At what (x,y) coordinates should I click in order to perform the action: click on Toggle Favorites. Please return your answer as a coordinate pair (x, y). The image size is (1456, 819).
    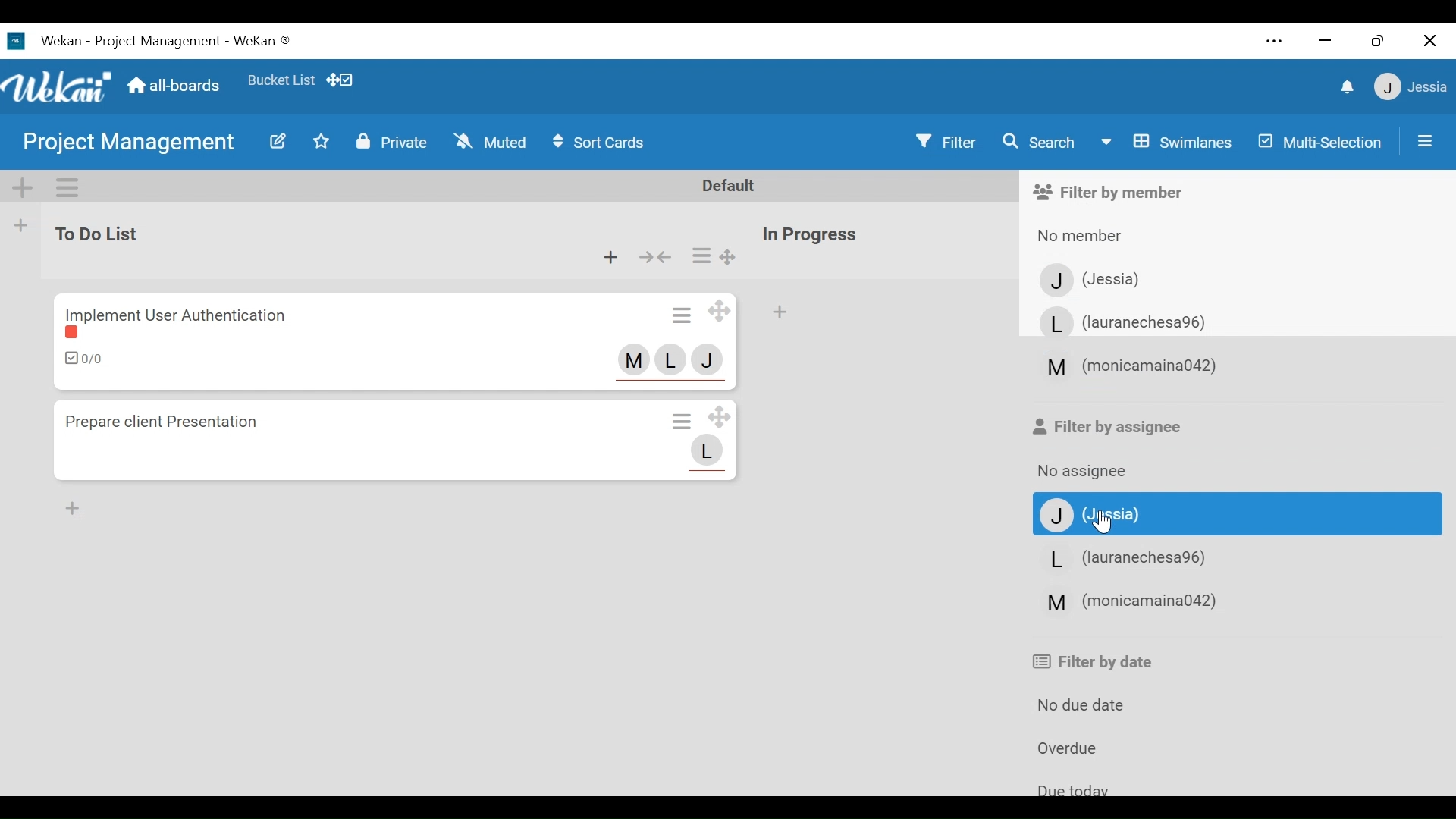
    Looking at the image, I should click on (322, 142).